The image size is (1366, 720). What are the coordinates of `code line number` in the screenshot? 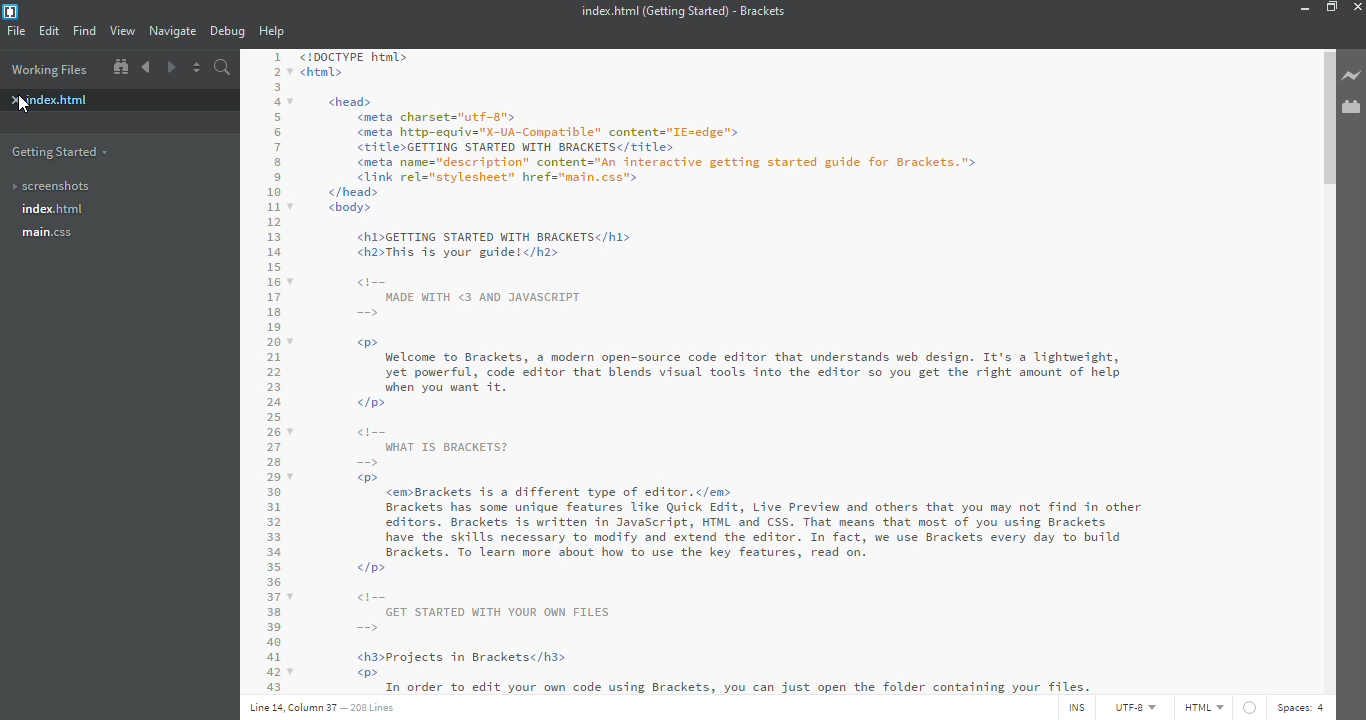 It's located at (275, 370).